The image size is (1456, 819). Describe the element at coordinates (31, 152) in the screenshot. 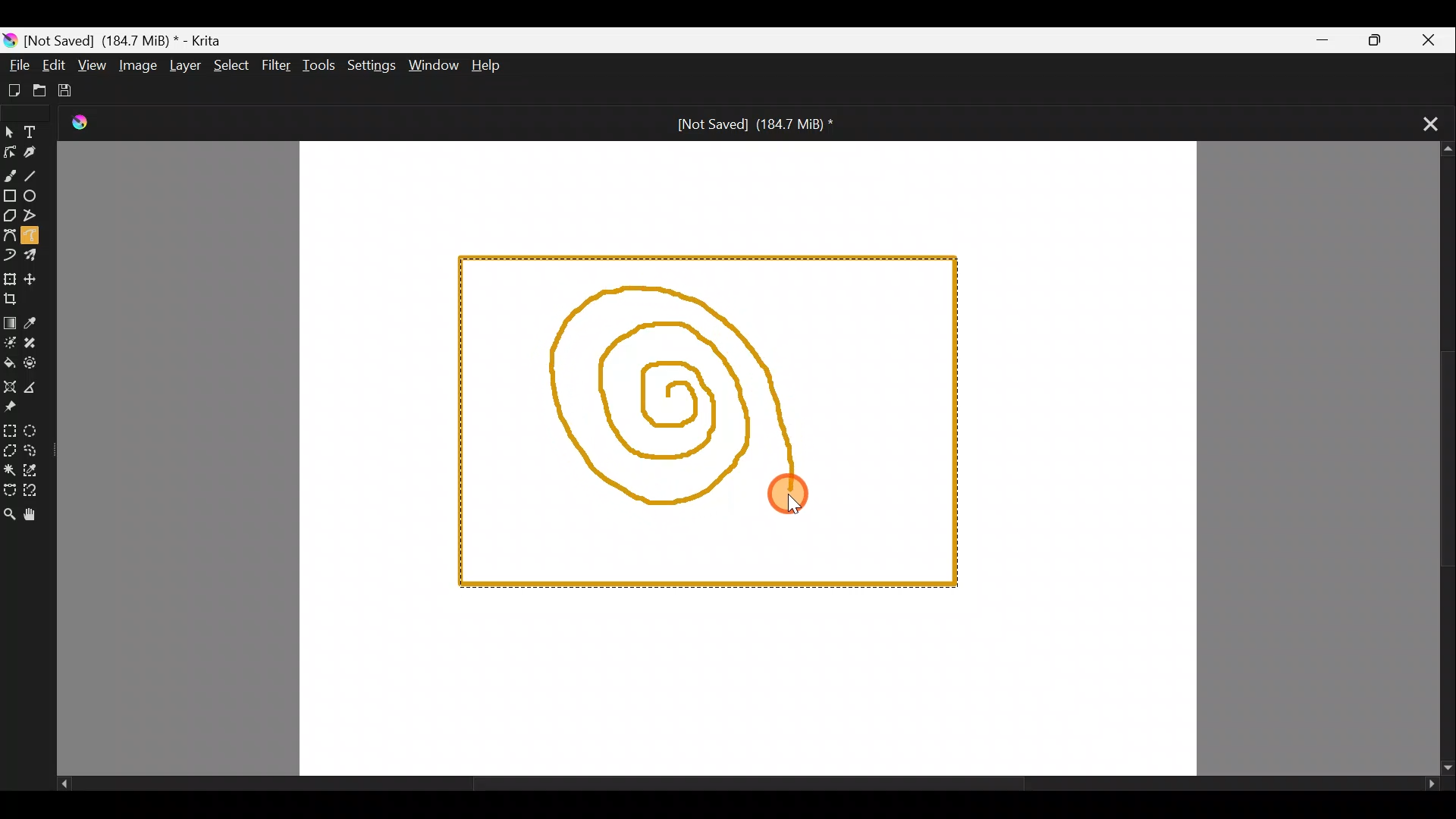

I see `Calligraphy` at that location.